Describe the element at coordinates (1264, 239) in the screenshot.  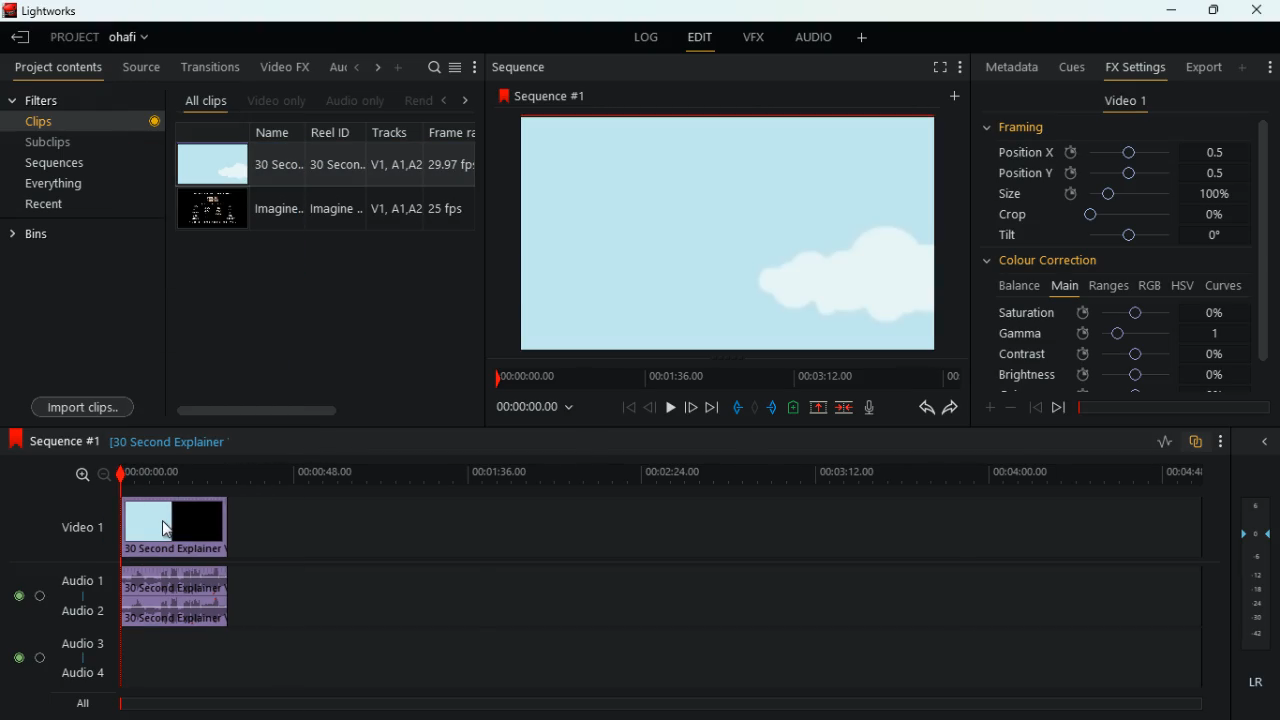
I see `vertical scroll bar` at that location.